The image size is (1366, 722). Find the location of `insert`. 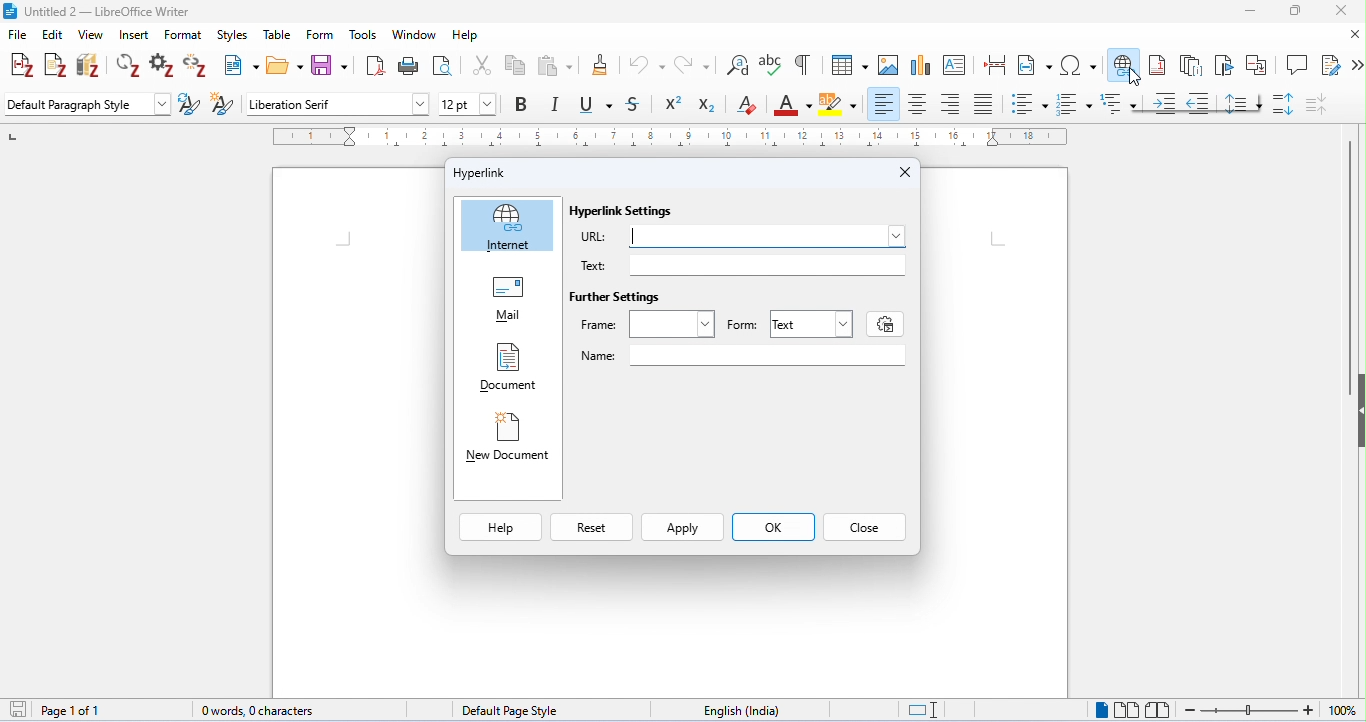

insert is located at coordinates (134, 35).